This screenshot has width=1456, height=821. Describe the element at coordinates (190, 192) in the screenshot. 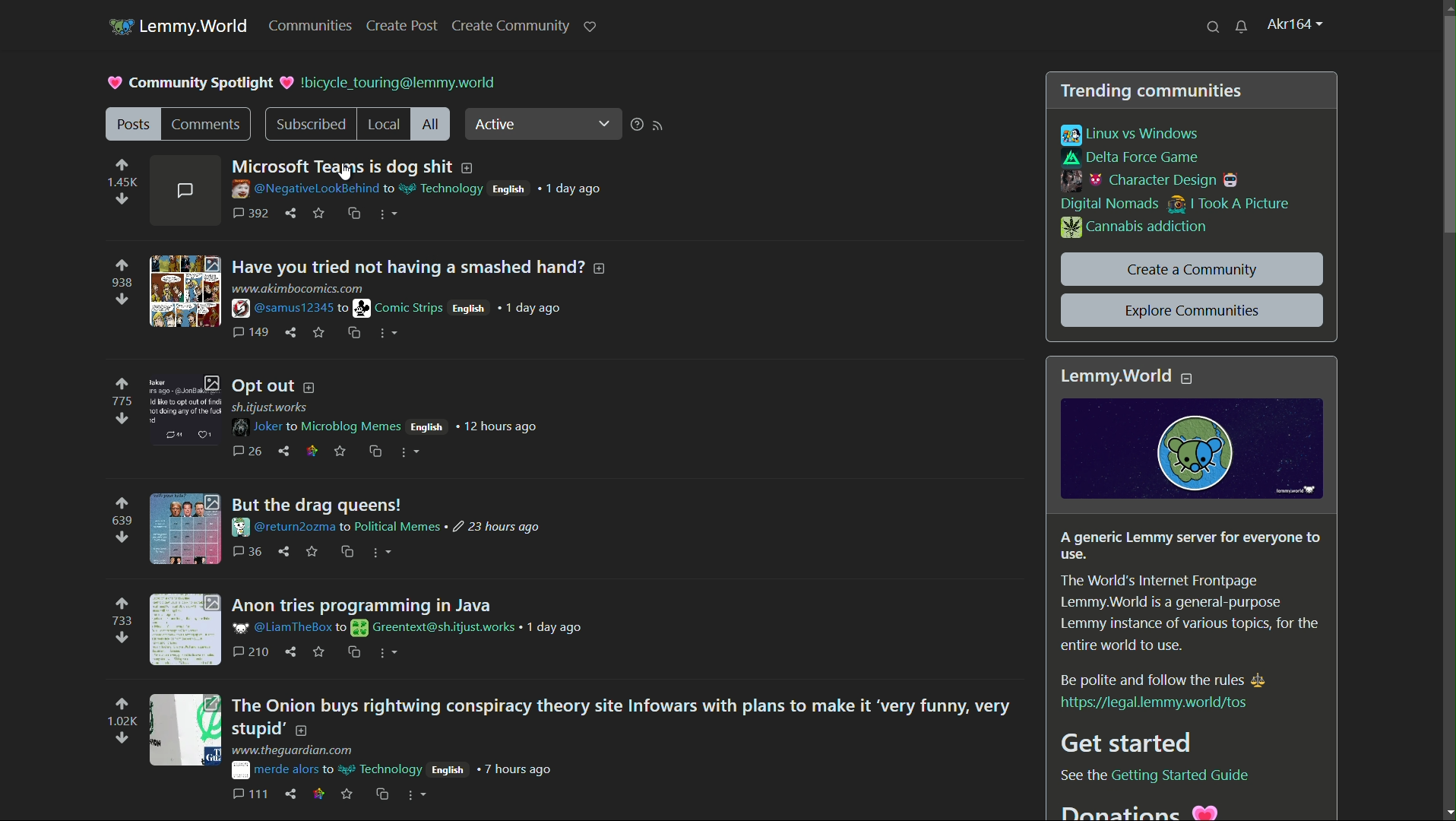

I see `comments` at that location.